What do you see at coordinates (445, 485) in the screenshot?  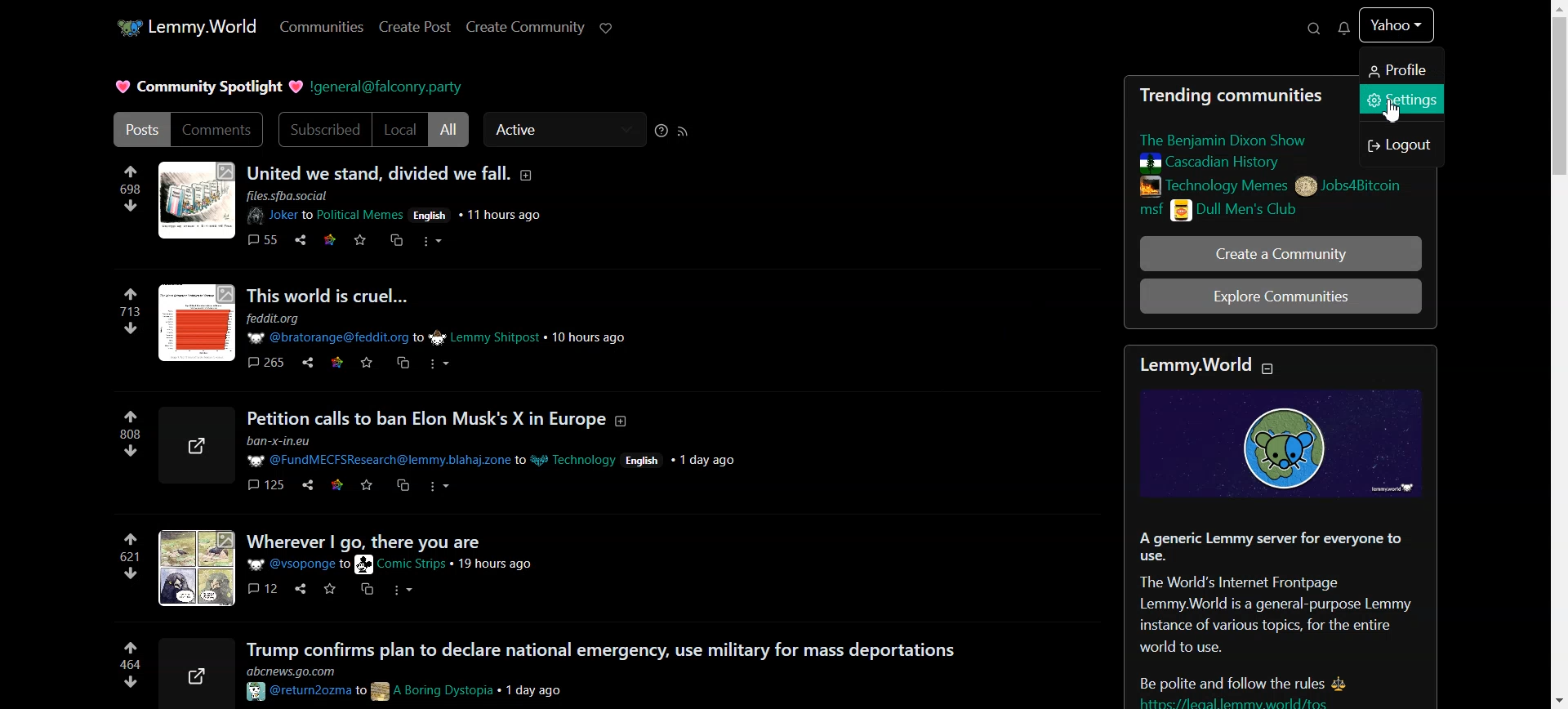 I see `` at bounding box center [445, 485].